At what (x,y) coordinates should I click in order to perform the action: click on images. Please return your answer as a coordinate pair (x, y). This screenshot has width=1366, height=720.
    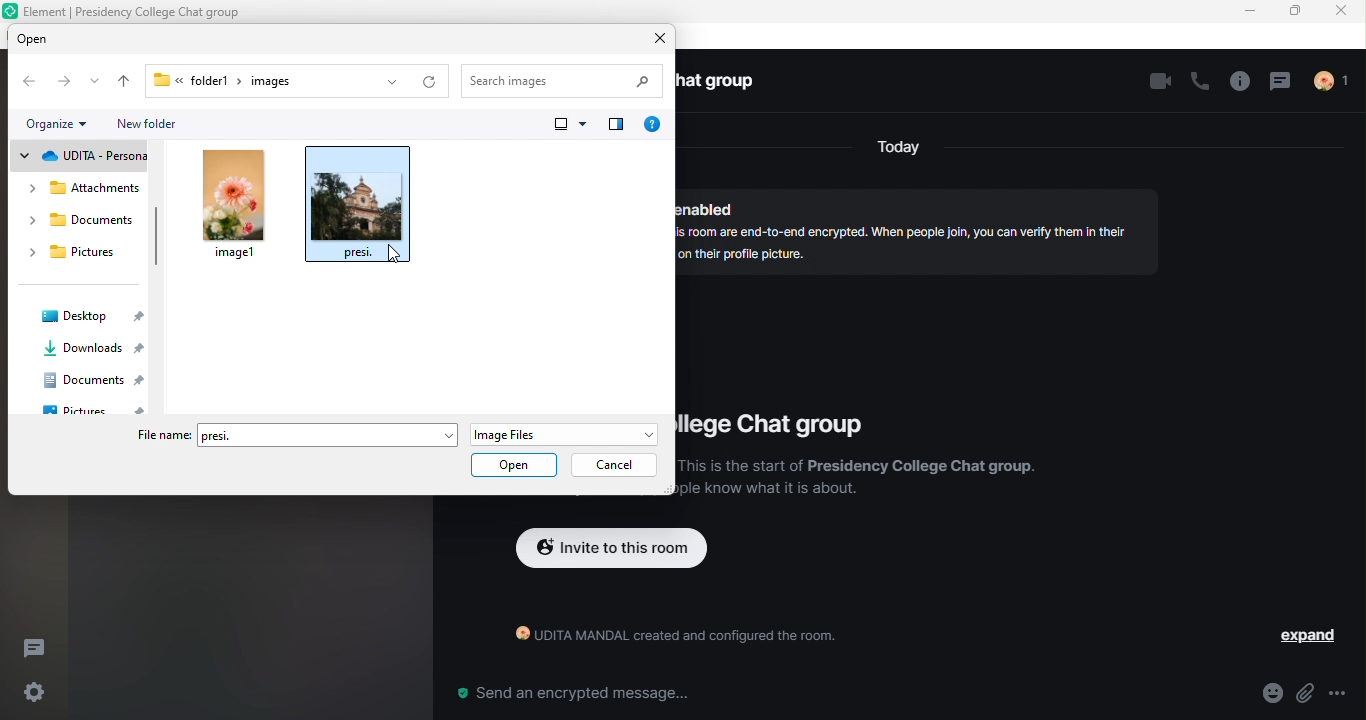
    Looking at the image, I should click on (280, 81).